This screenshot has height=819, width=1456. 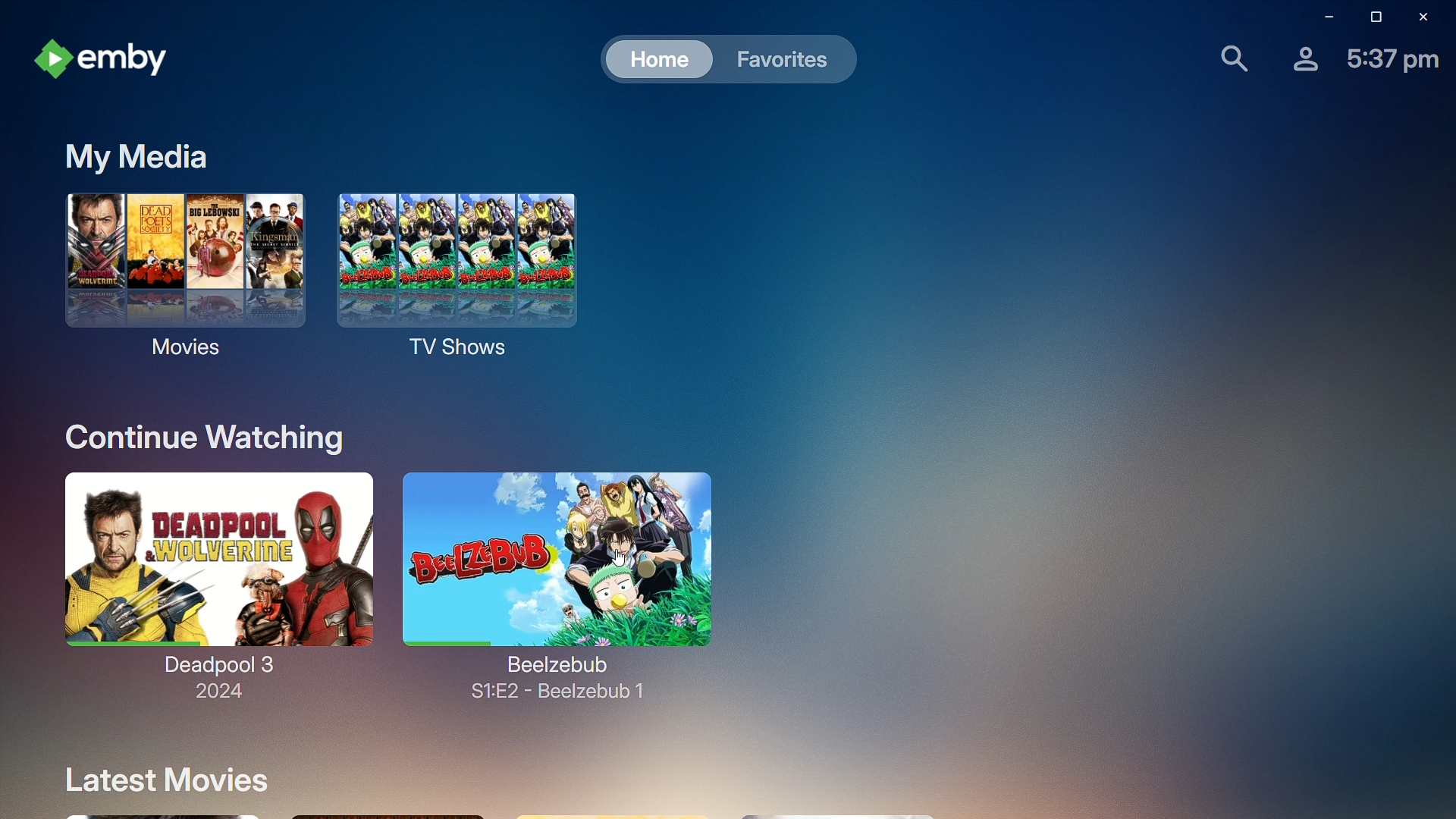 What do you see at coordinates (1298, 61) in the screenshot?
I see `Account` at bounding box center [1298, 61].